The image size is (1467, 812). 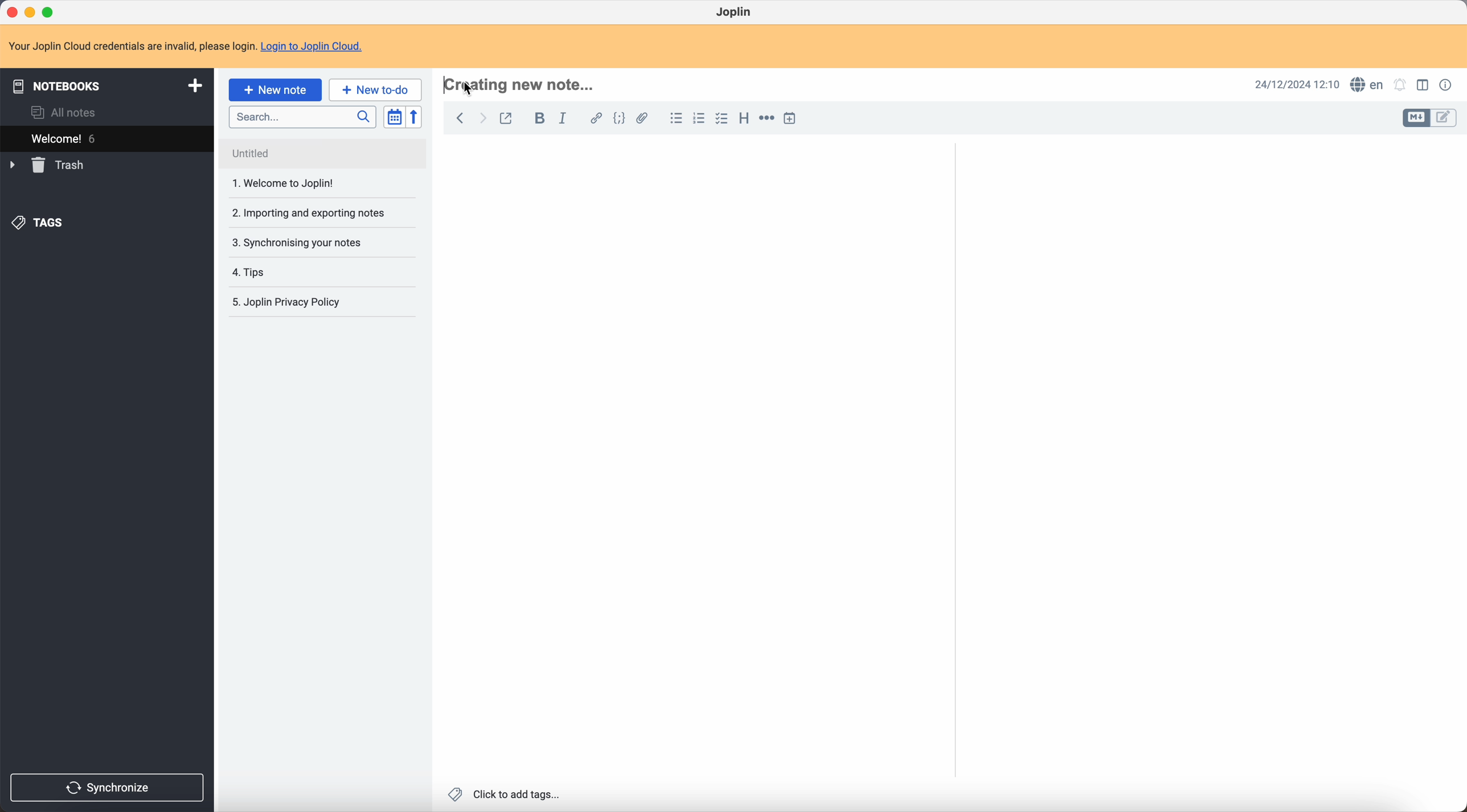 I want to click on welcome, so click(x=106, y=137).